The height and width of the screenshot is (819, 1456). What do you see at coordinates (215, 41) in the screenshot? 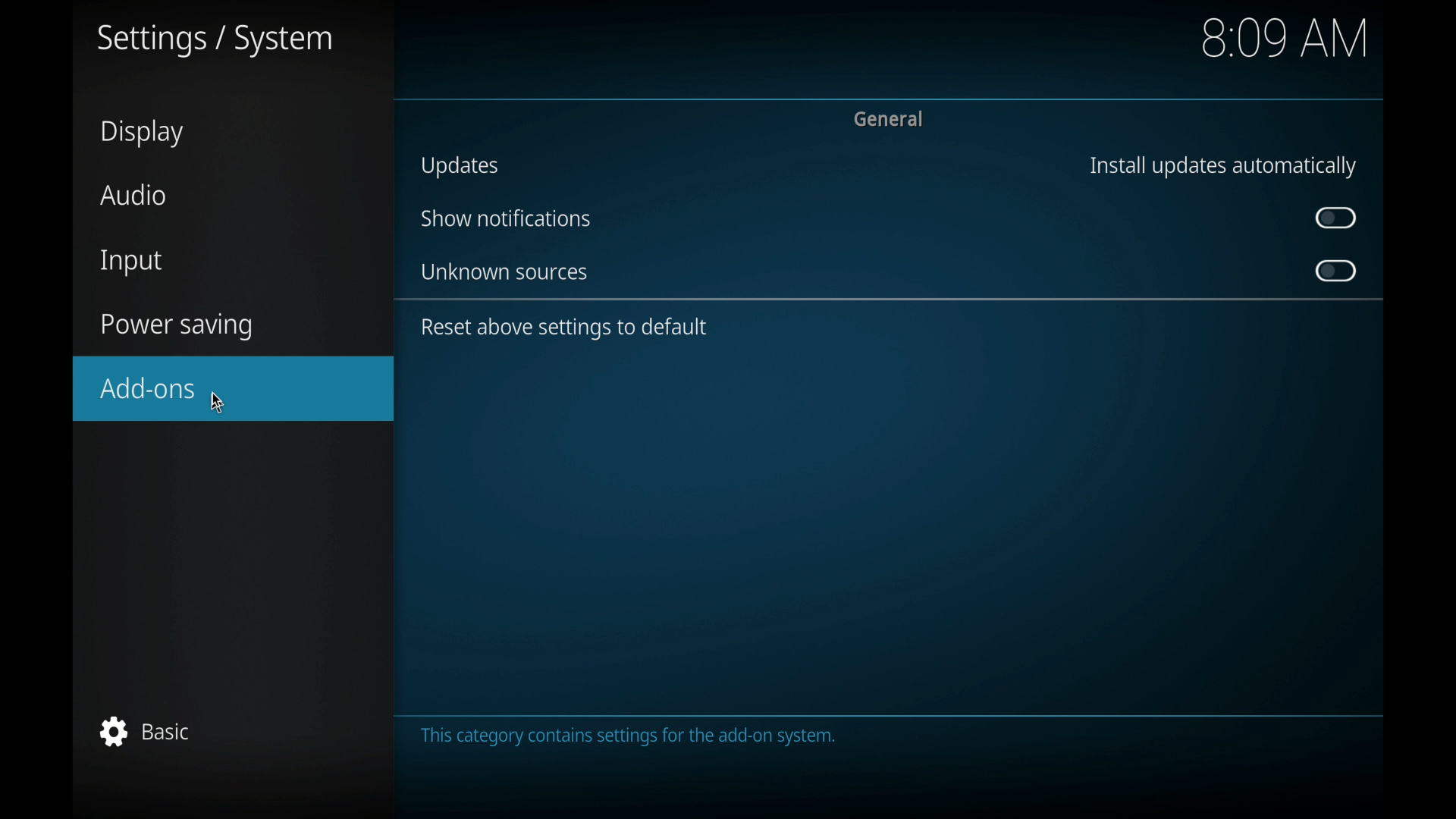
I see `settings/system` at bounding box center [215, 41].